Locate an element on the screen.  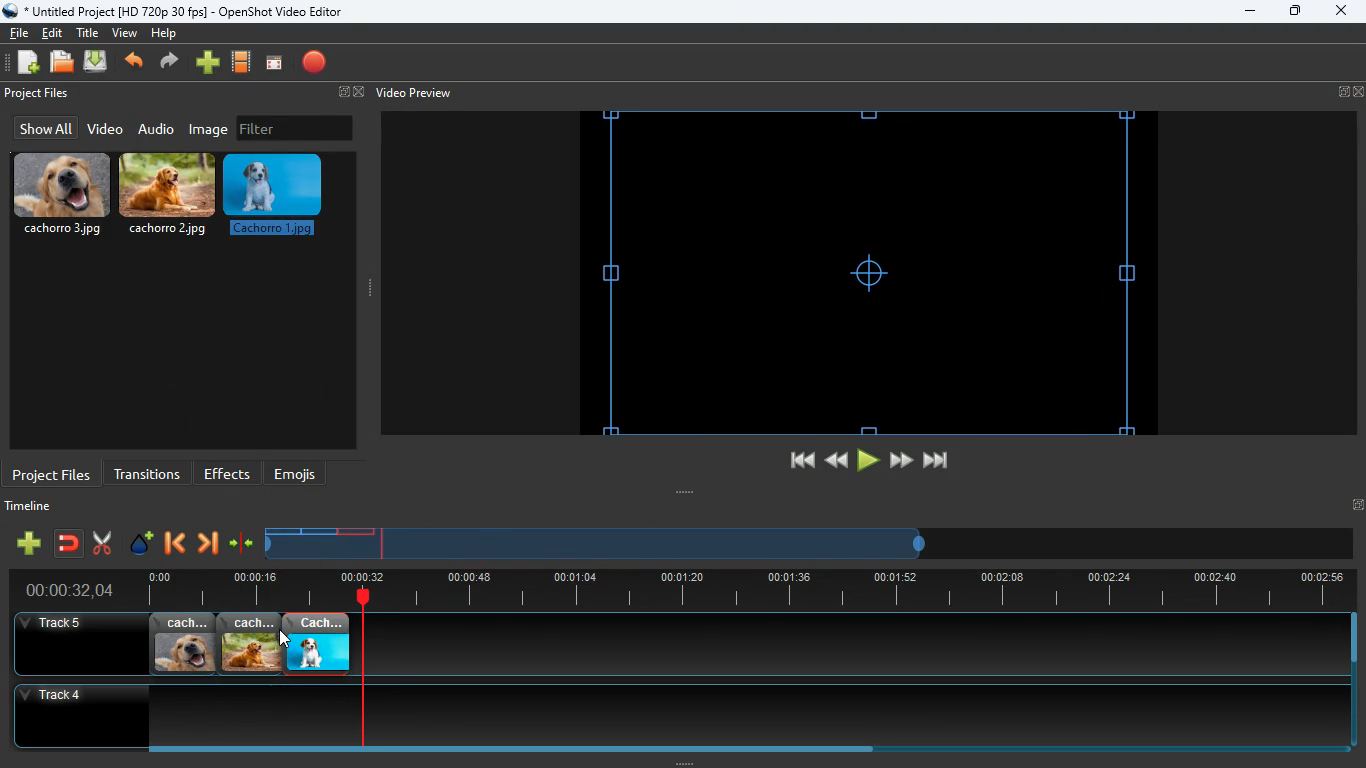
cachorro.2.jpg is located at coordinates (250, 644).